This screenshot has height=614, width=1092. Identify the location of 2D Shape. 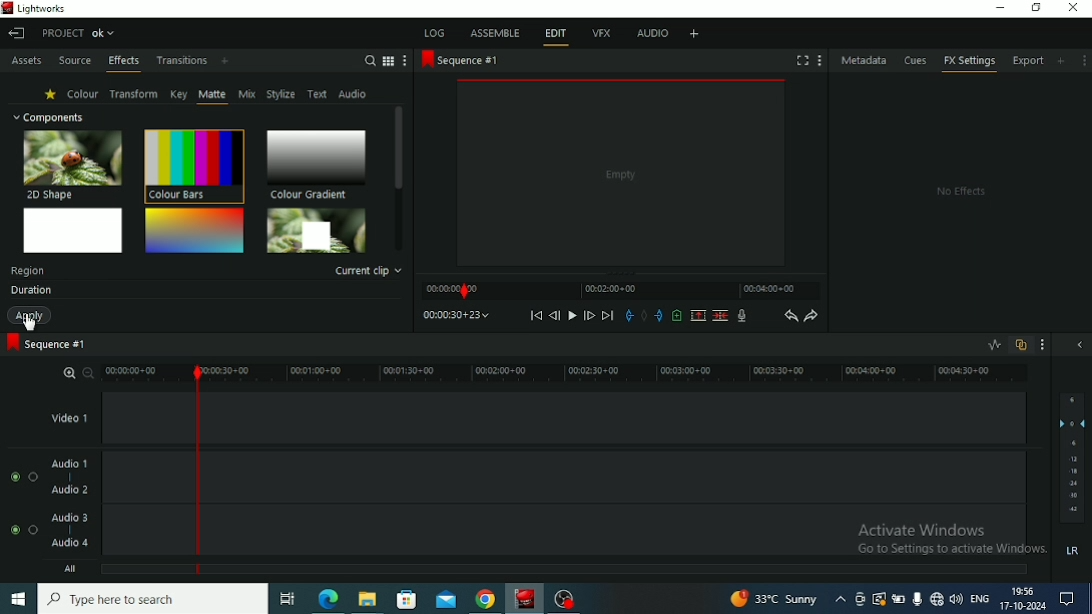
(74, 164).